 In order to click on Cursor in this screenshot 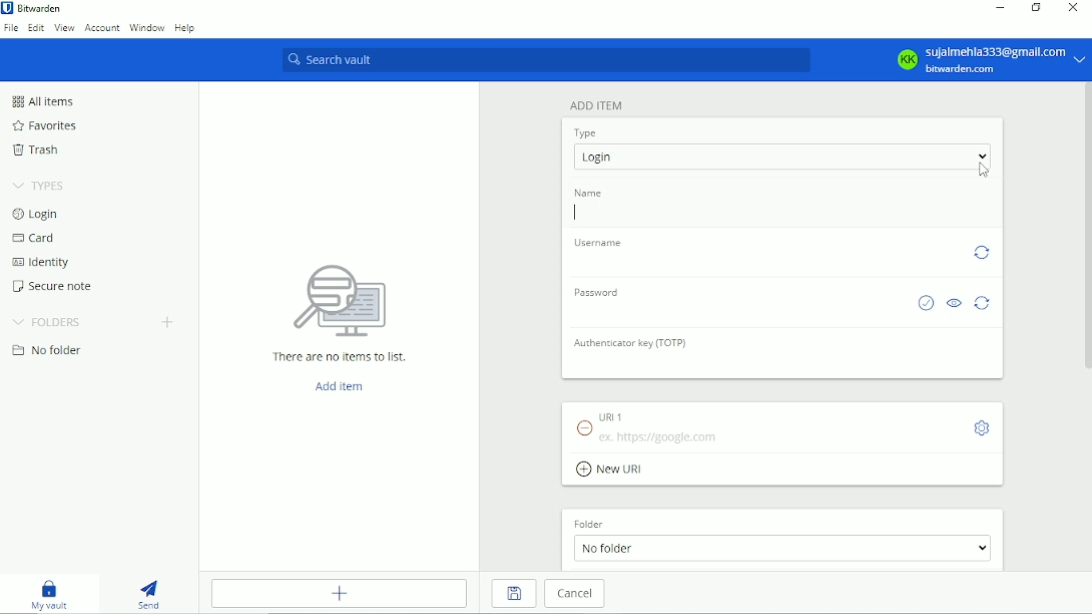, I will do `click(982, 170)`.